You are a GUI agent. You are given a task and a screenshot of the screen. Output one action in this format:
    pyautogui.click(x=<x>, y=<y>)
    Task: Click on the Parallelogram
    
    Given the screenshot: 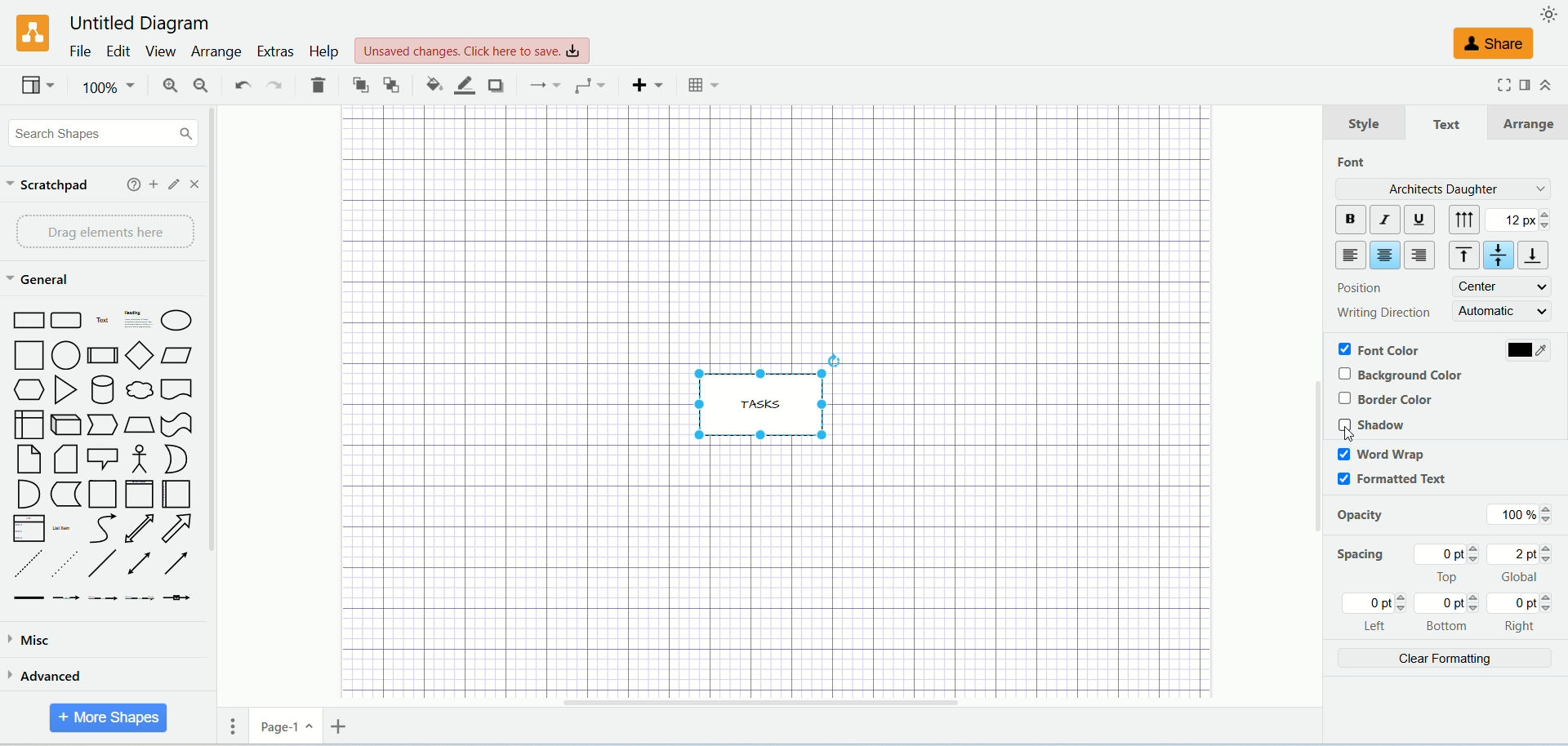 What is the action you would take?
    pyautogui.click(x=178, y=356)
    